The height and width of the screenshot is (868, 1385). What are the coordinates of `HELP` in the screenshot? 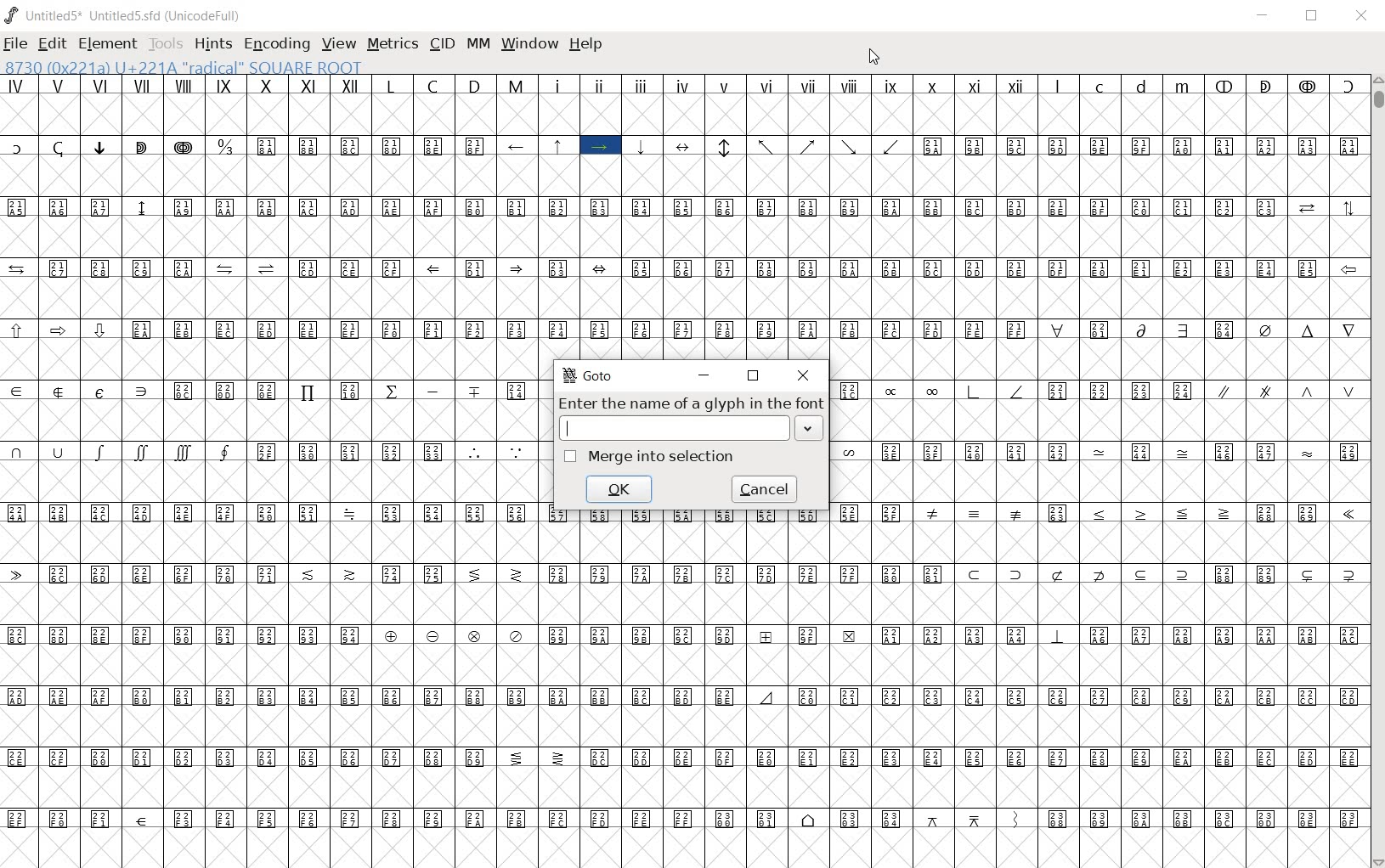 It's located at (589, 46).